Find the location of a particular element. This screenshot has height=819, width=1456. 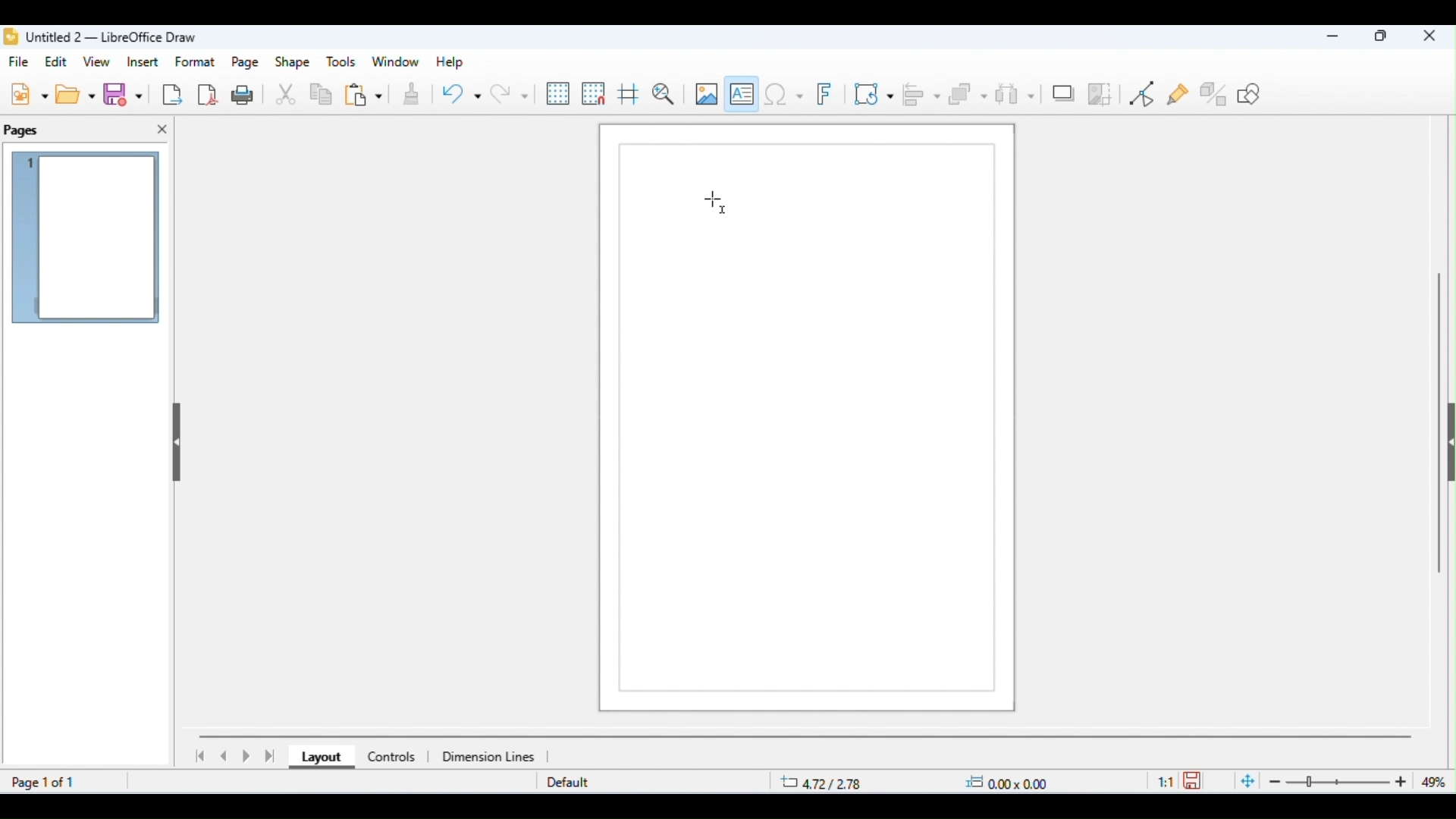

next page is located at coordinates (249, 757).